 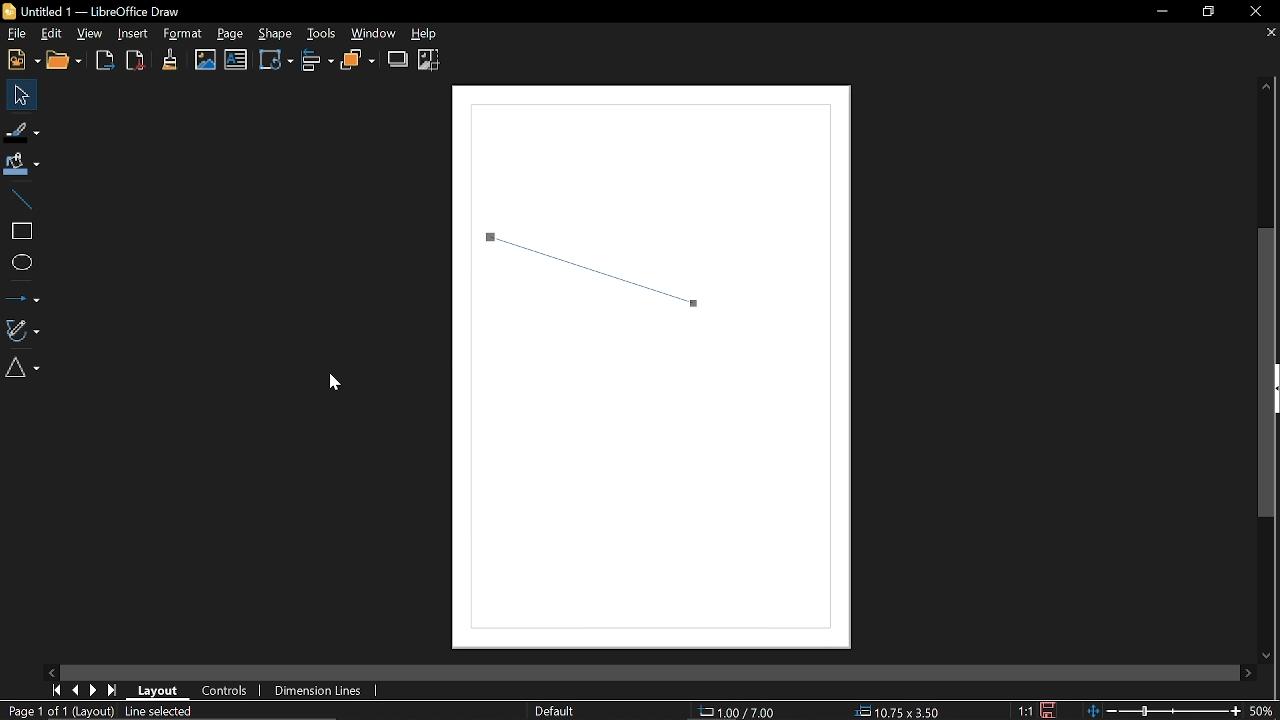 I want to click on change zoom, so click(x=1164, y=711).